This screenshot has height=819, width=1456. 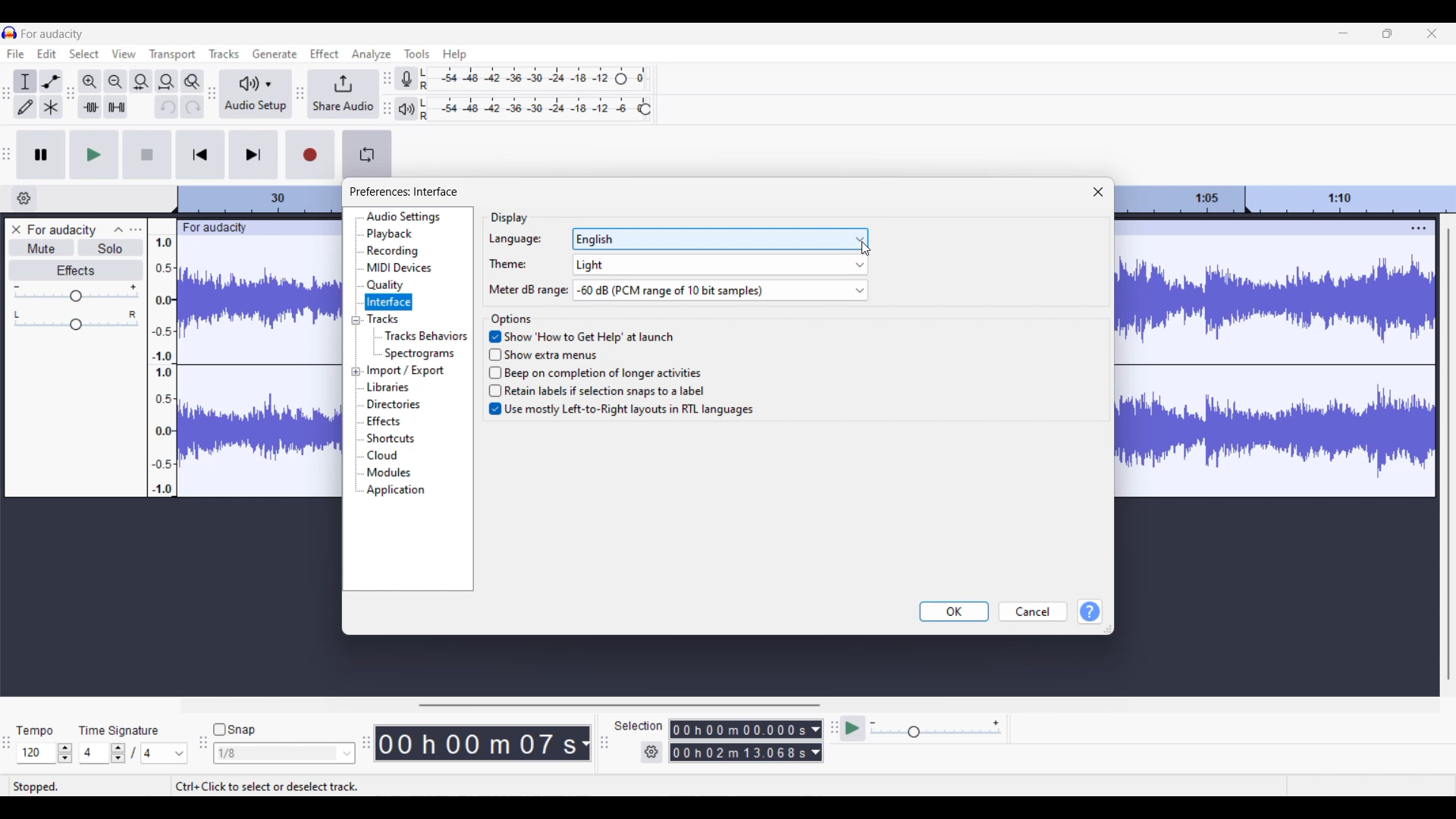 What do you see at coordinates (224, 53) in the screenshot?
I see `Tracks menu` at bounding box center [224, 53].